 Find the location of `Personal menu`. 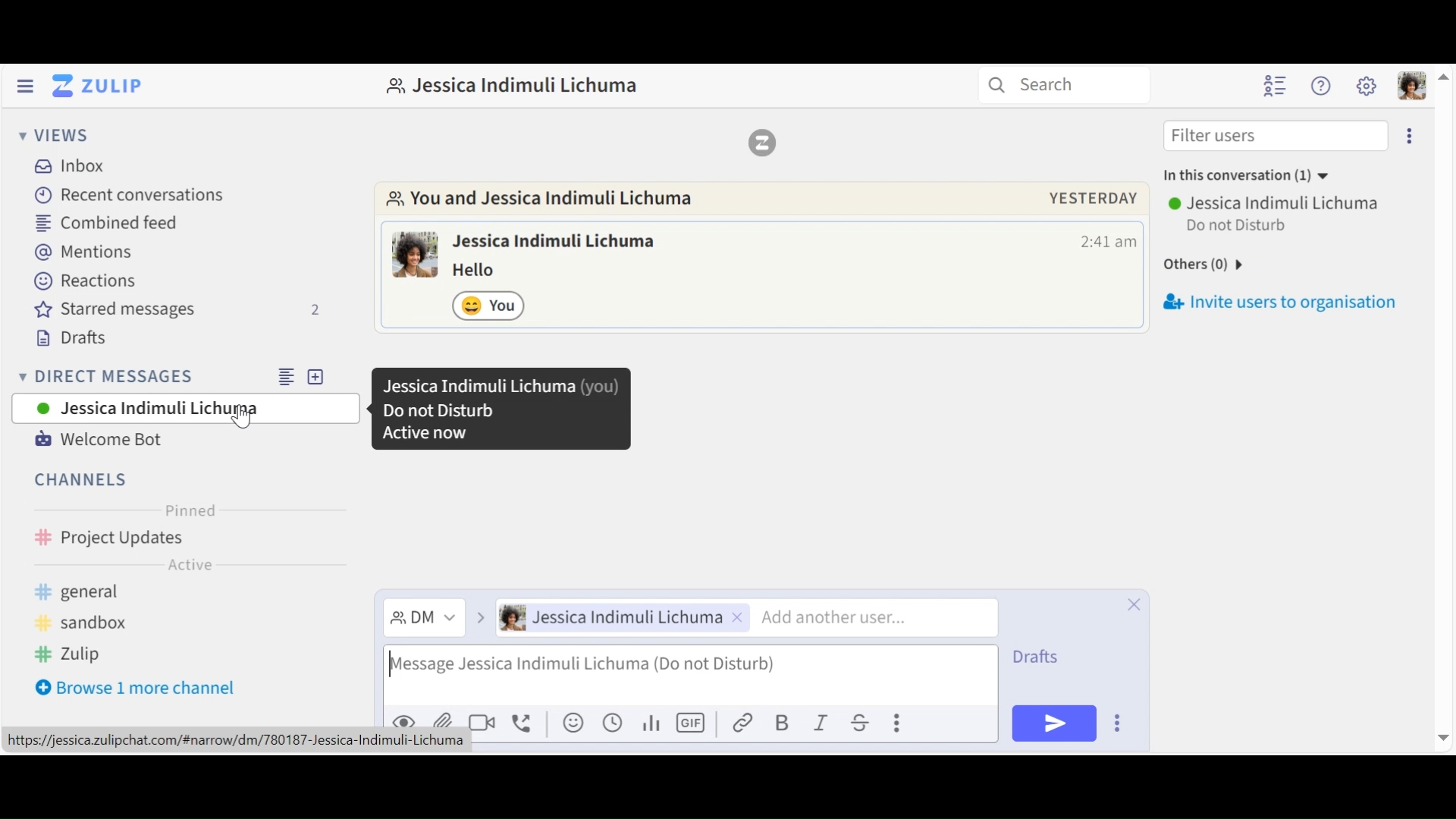

Personal menu is located at coordinates (1409, 85).